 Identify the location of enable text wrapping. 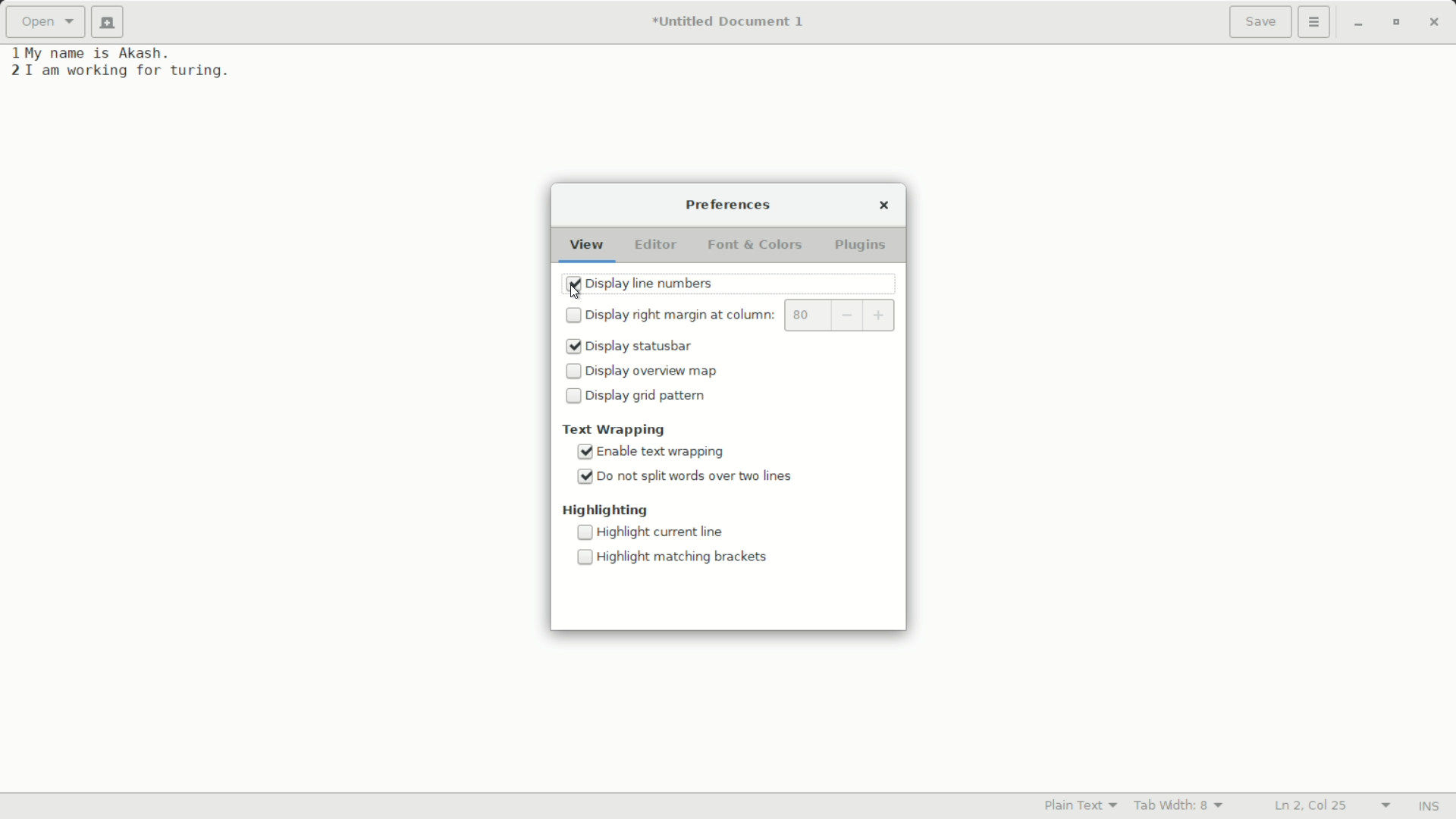
(667, 452).